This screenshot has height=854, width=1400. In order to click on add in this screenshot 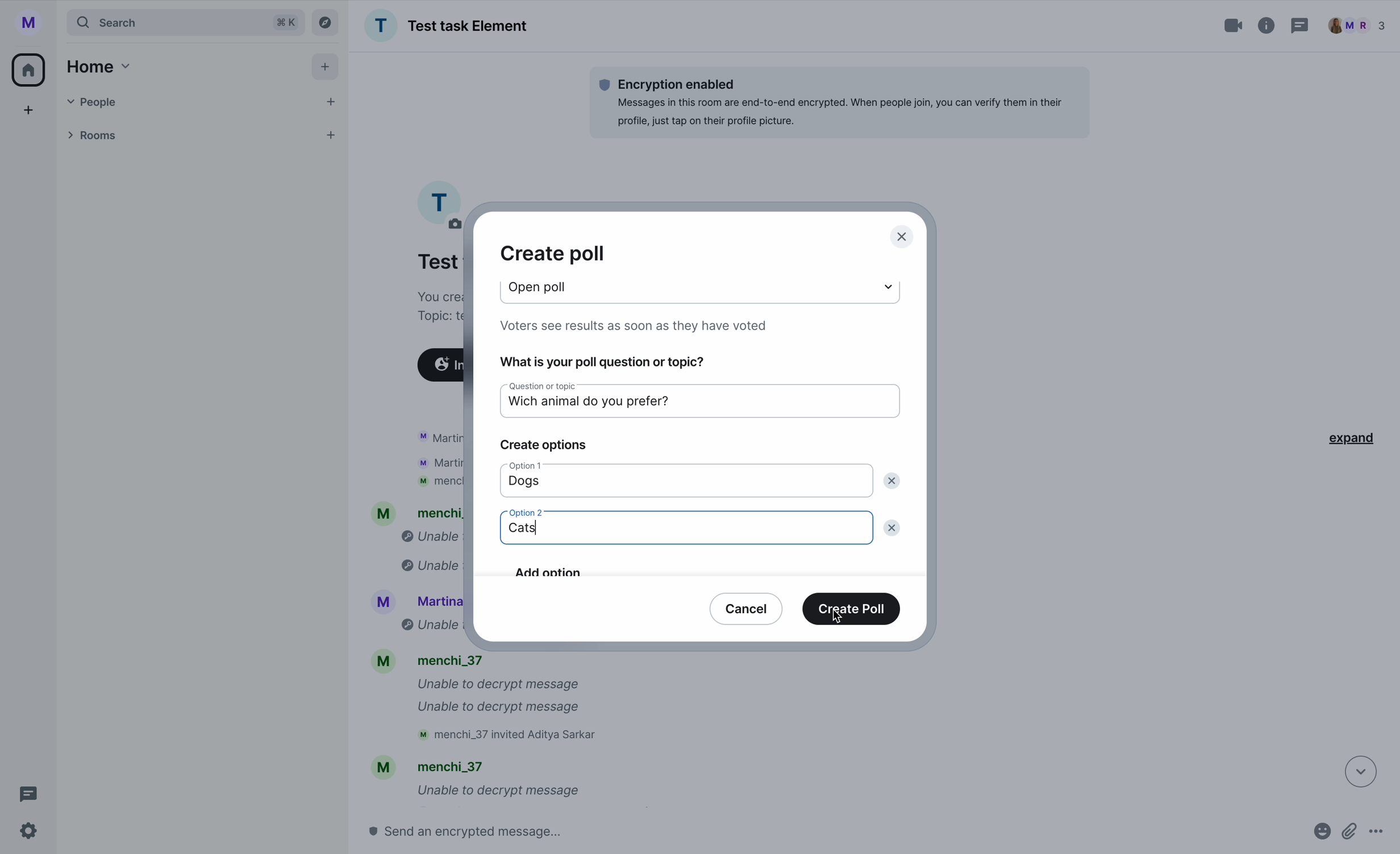, I will do `click(30, 113)`.